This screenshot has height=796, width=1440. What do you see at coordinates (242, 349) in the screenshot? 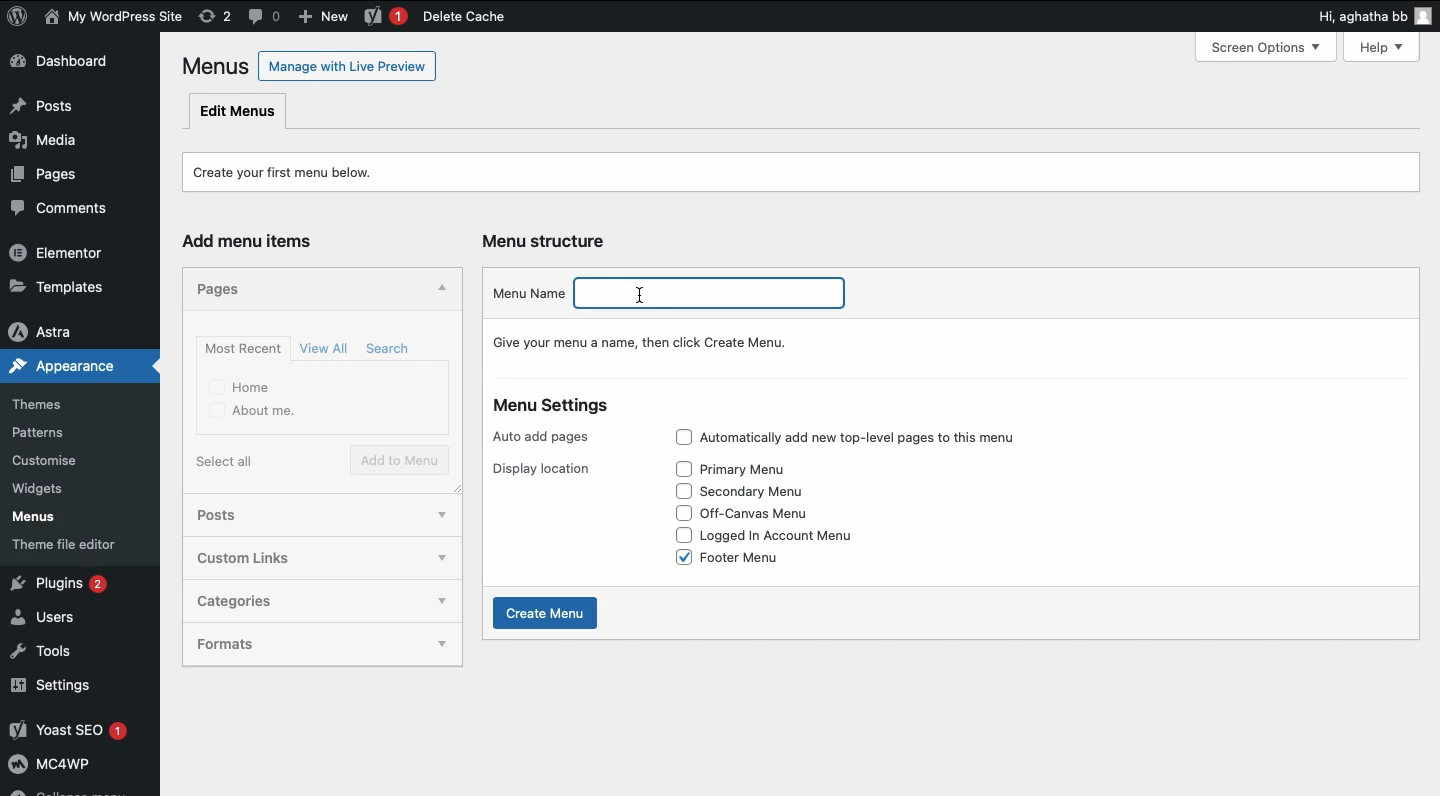
I see `Most recent` at bounding box center [242, 349].